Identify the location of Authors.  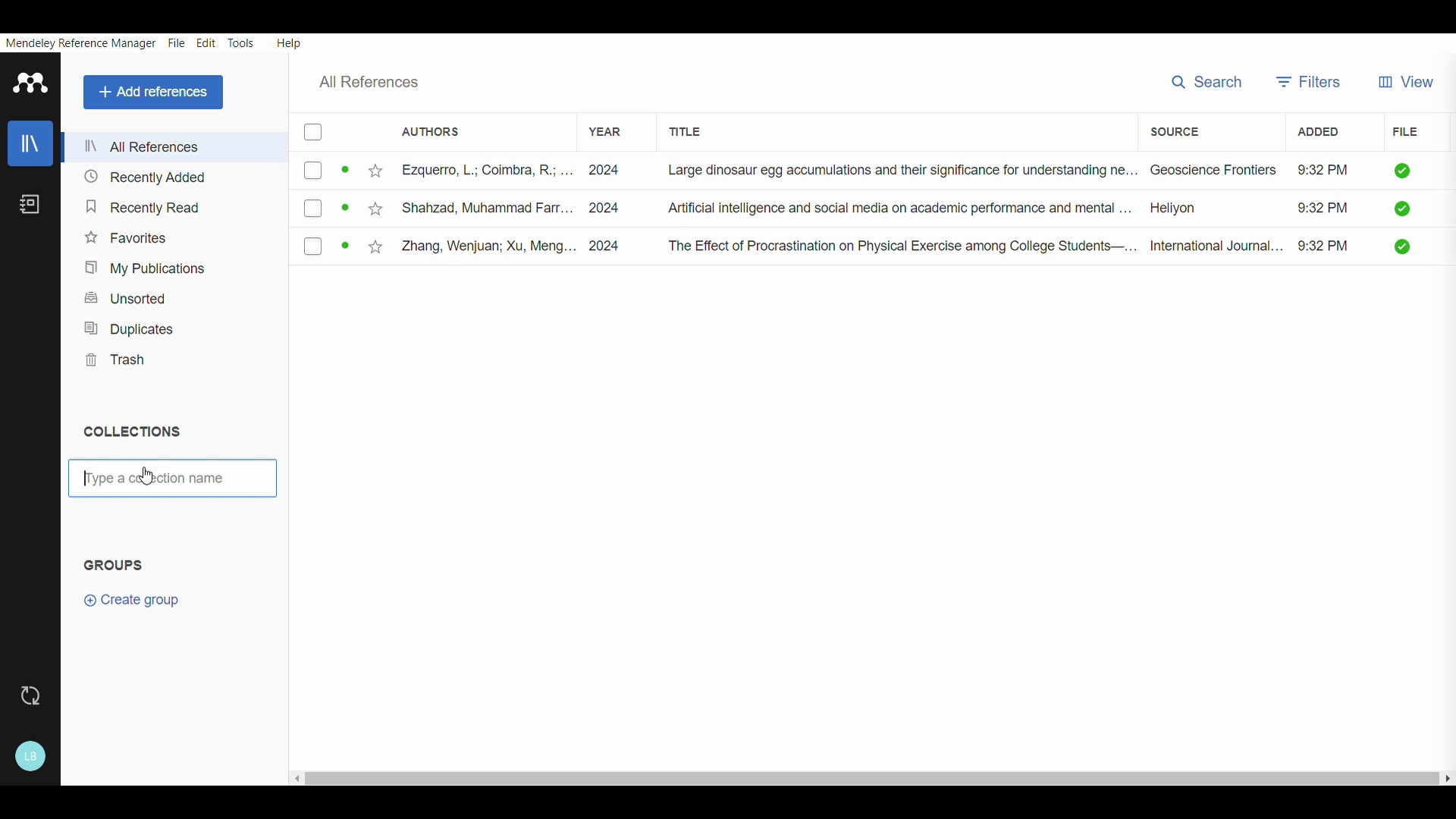
(431, 130).